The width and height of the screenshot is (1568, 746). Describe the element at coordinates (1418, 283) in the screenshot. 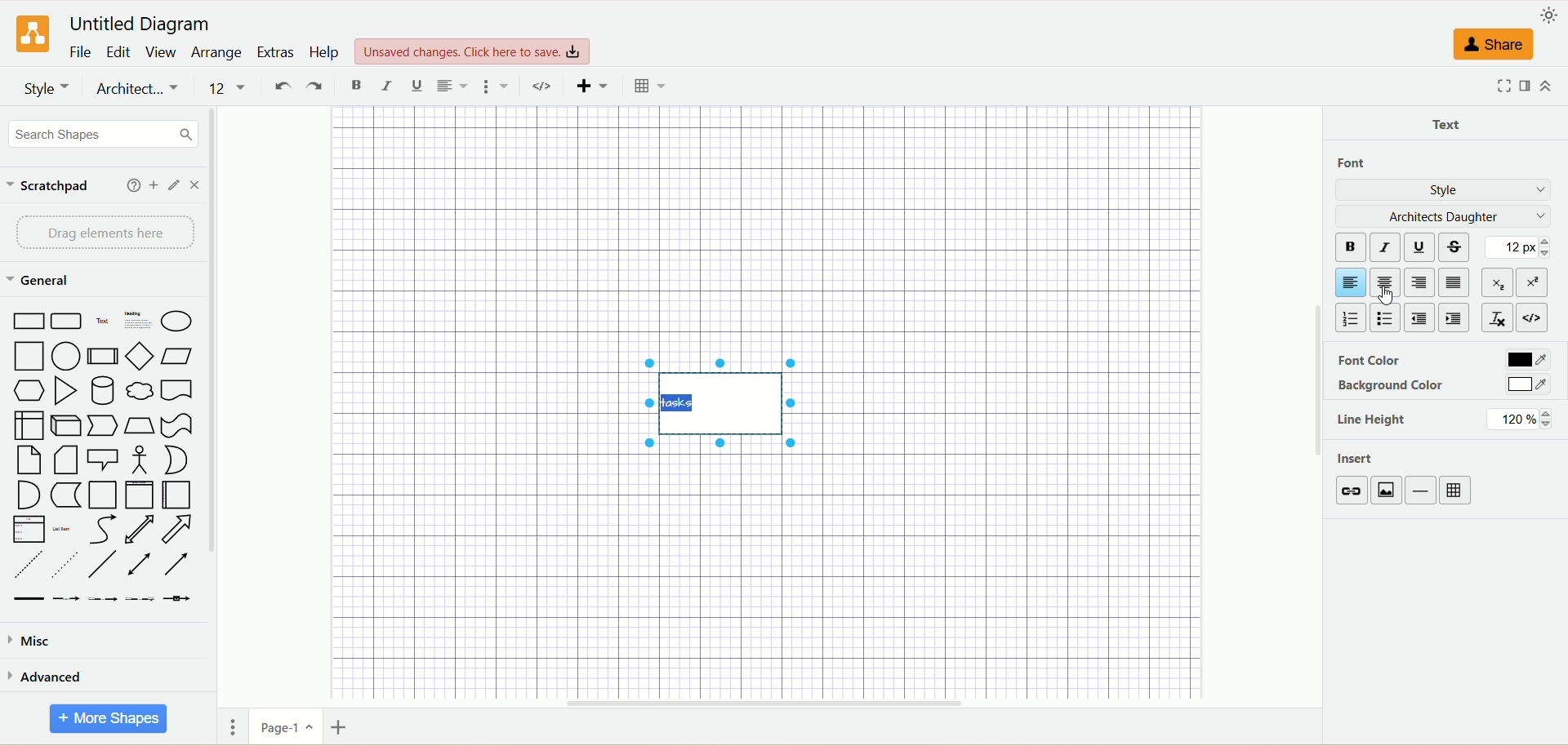

I see `right` at that location.